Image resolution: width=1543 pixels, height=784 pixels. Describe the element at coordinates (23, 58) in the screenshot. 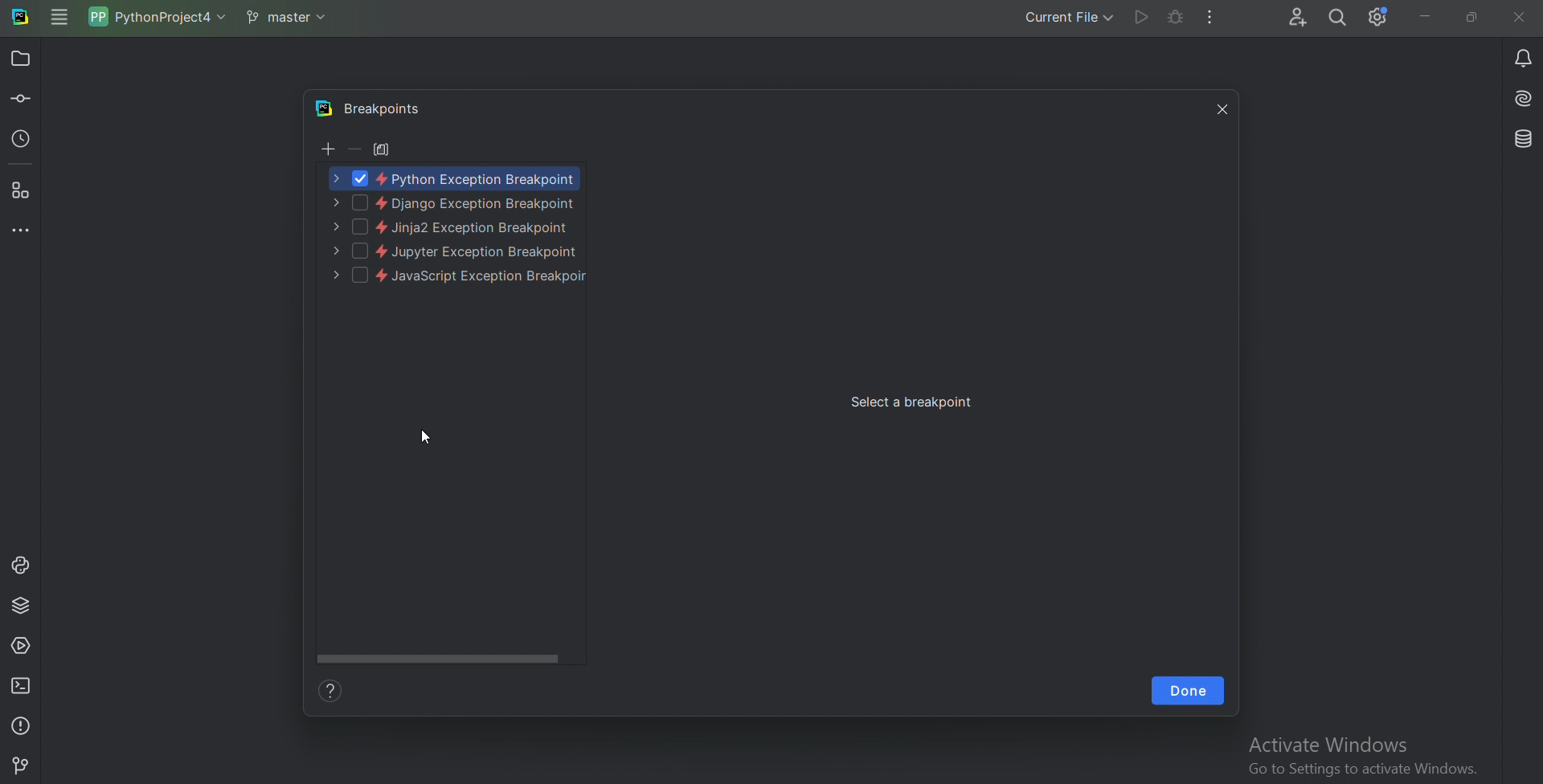

I see `Project` at that location.